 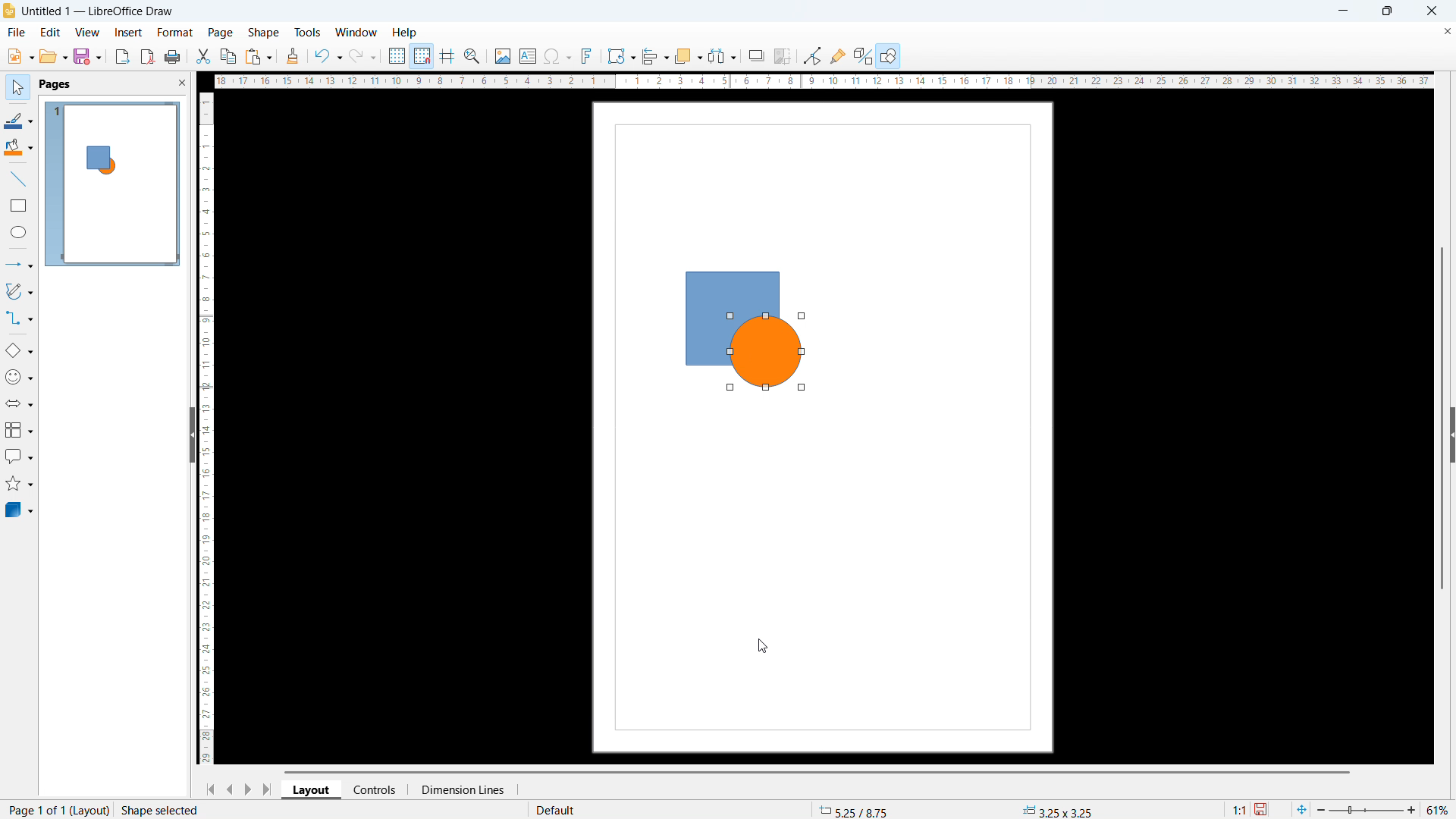 What do you see at coordinates (17, 33) in the screenshot?
I see `file ` at bounding box center [17, 33].